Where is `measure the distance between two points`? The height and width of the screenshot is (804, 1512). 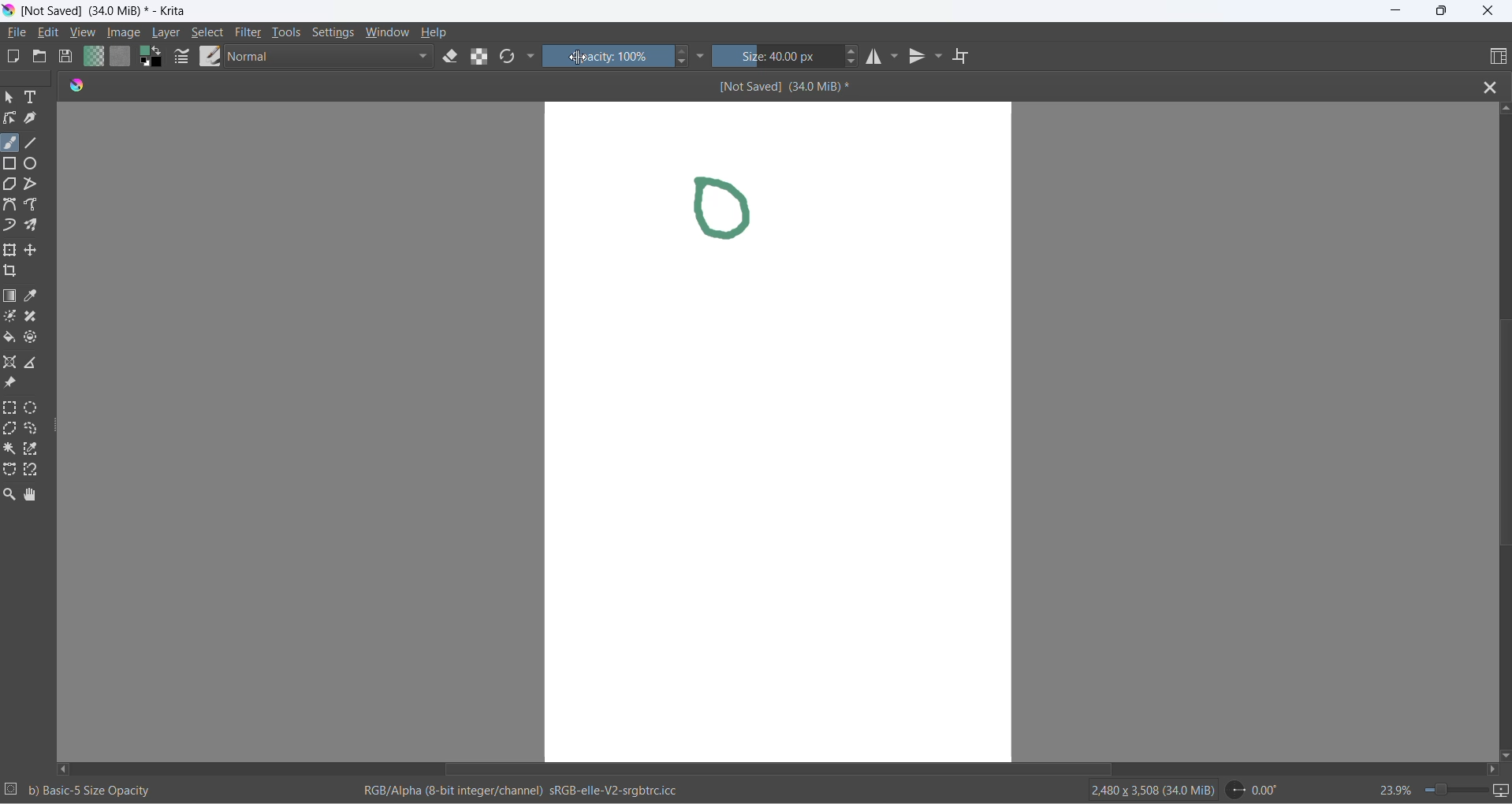 measure the distance between two points is located at coordinates (37, 362).